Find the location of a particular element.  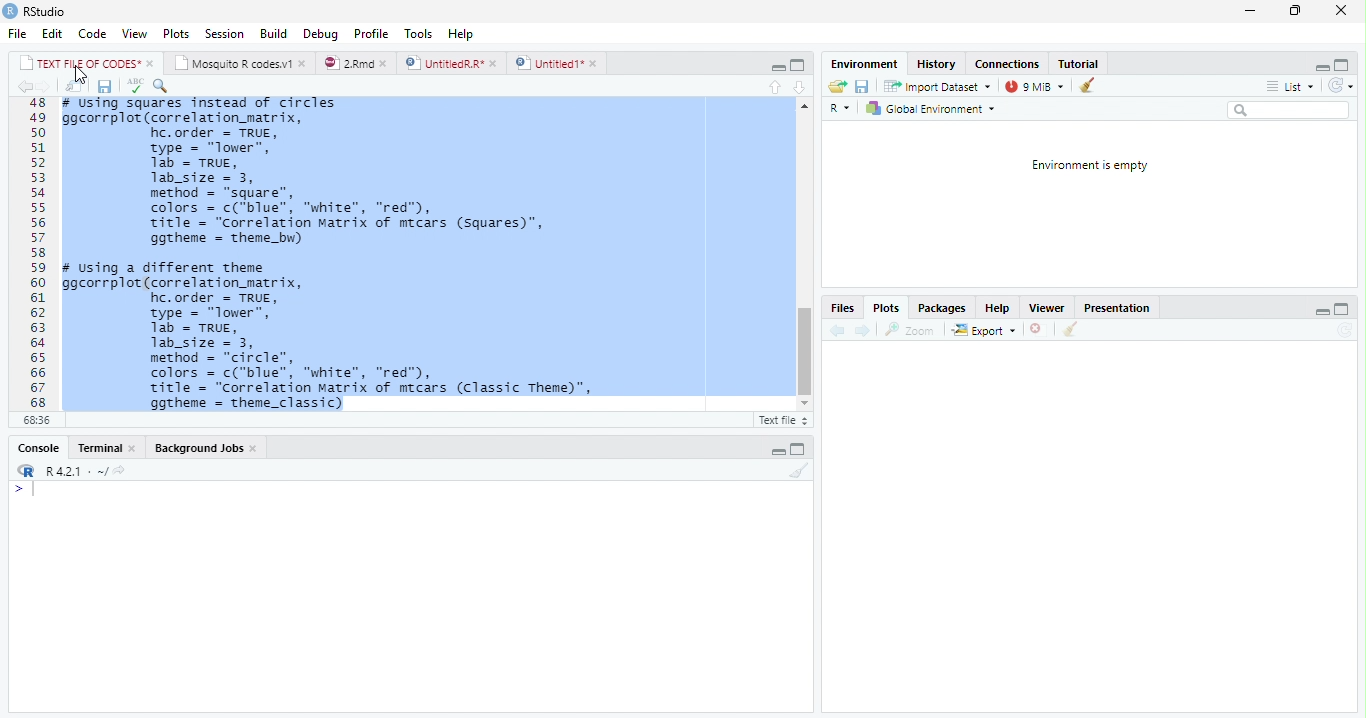

hide r script is located at coordinates (1322, 311).